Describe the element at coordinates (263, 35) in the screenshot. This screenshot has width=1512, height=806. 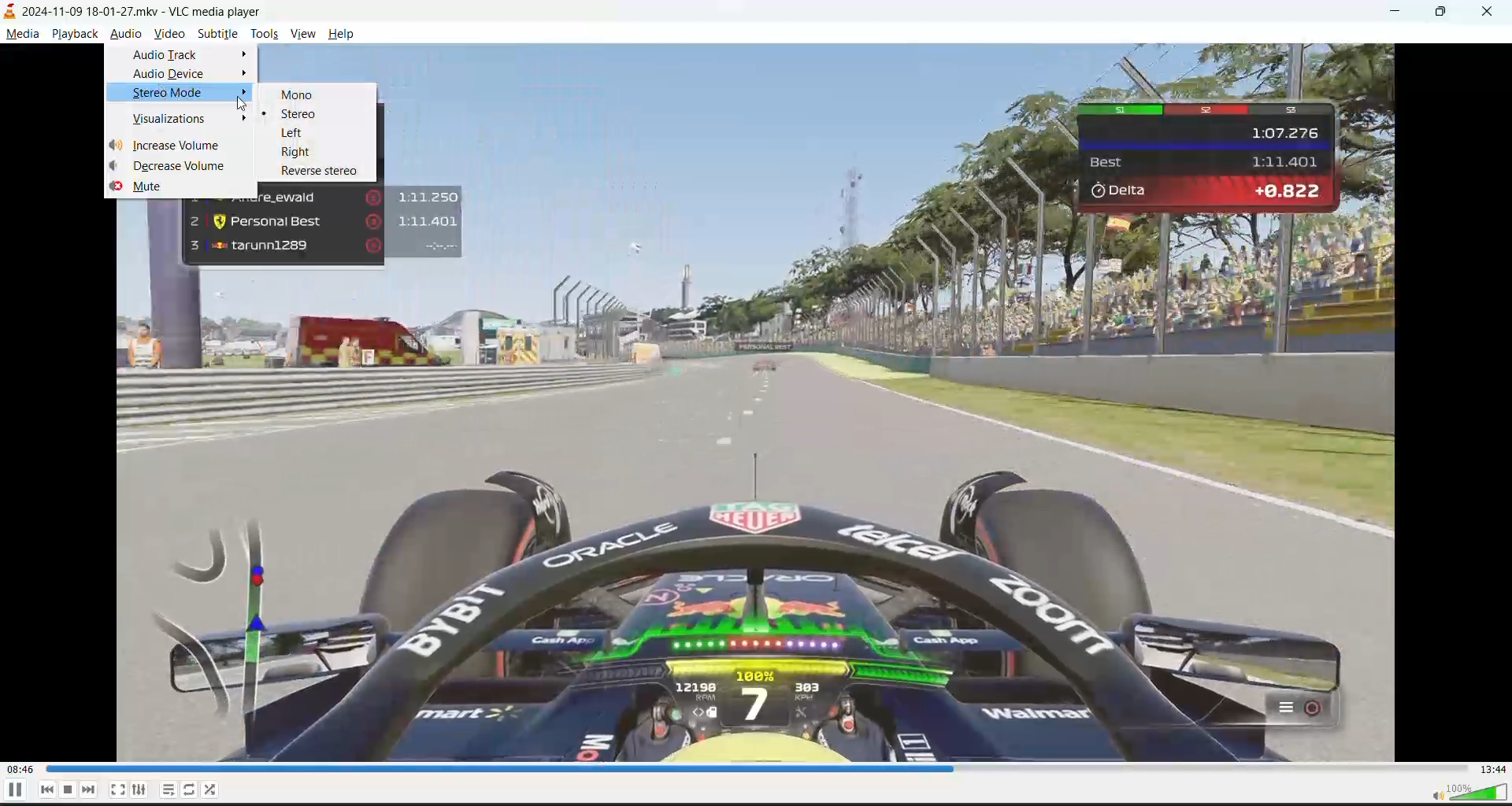
I see `tools` at that location.